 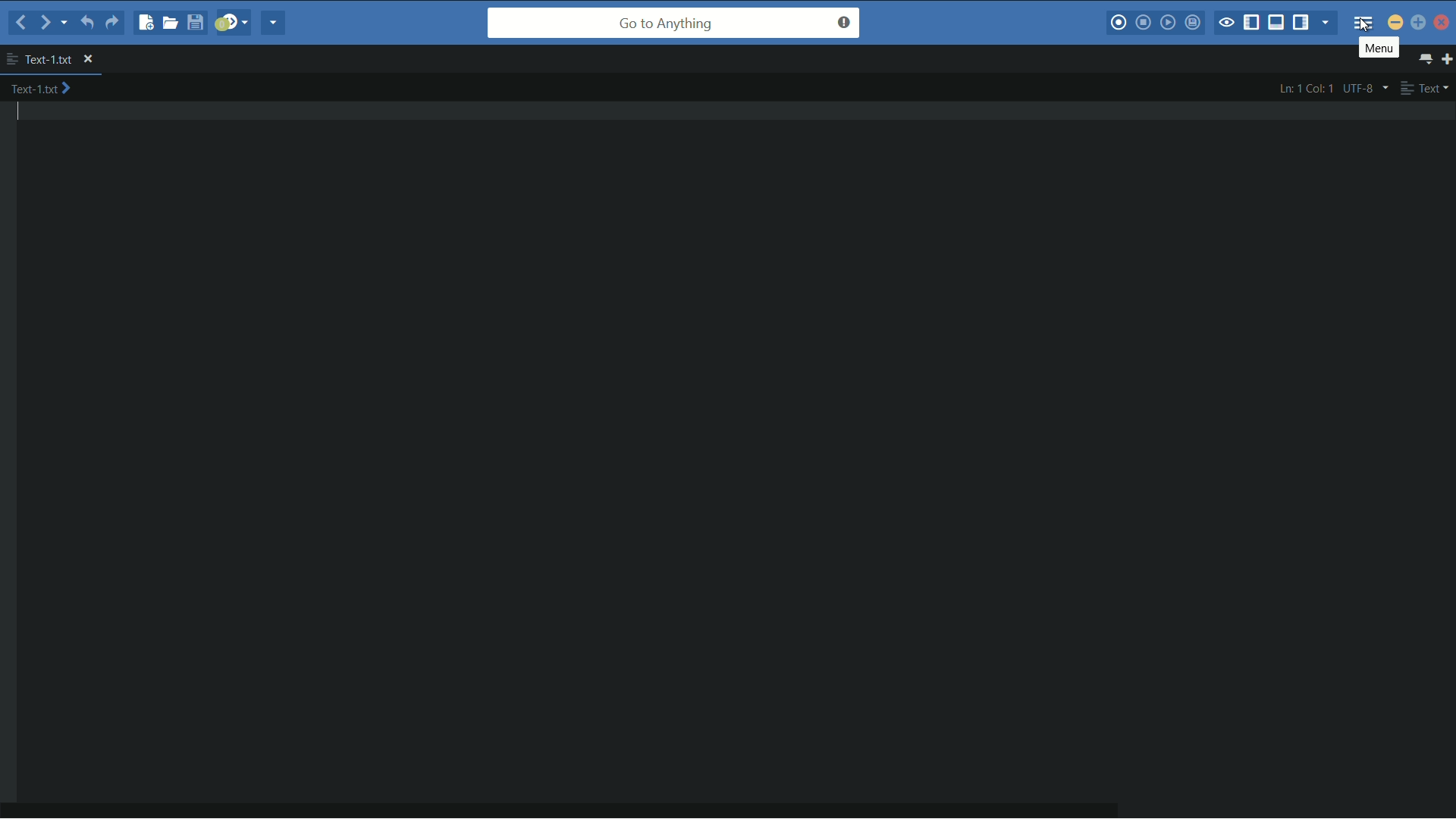 What do you see at coordinates (113, 24) in the screenshot?
I see `redo` at bounding box center [113, 24].